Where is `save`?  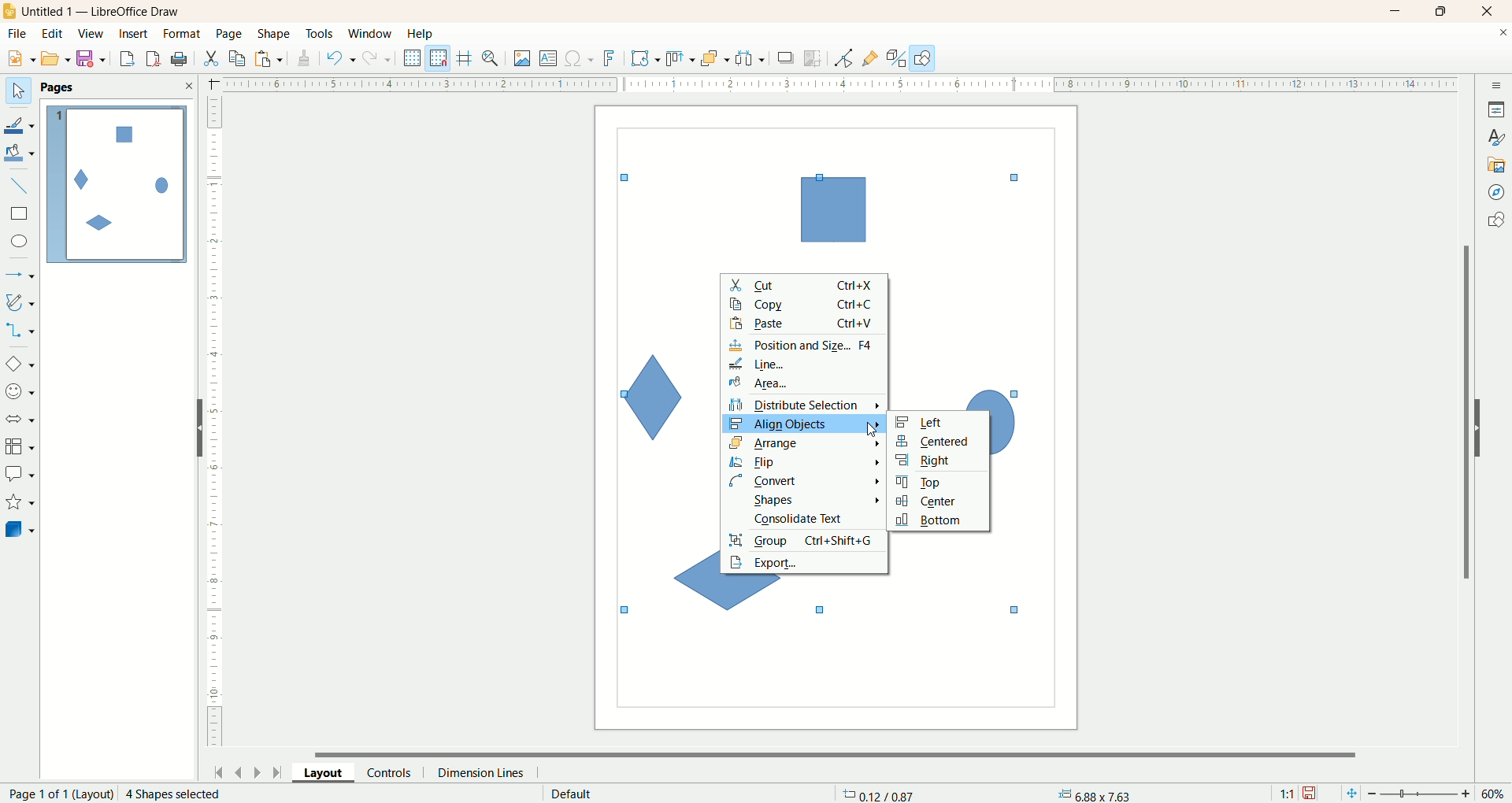 save is located at coordinates (94, 59).